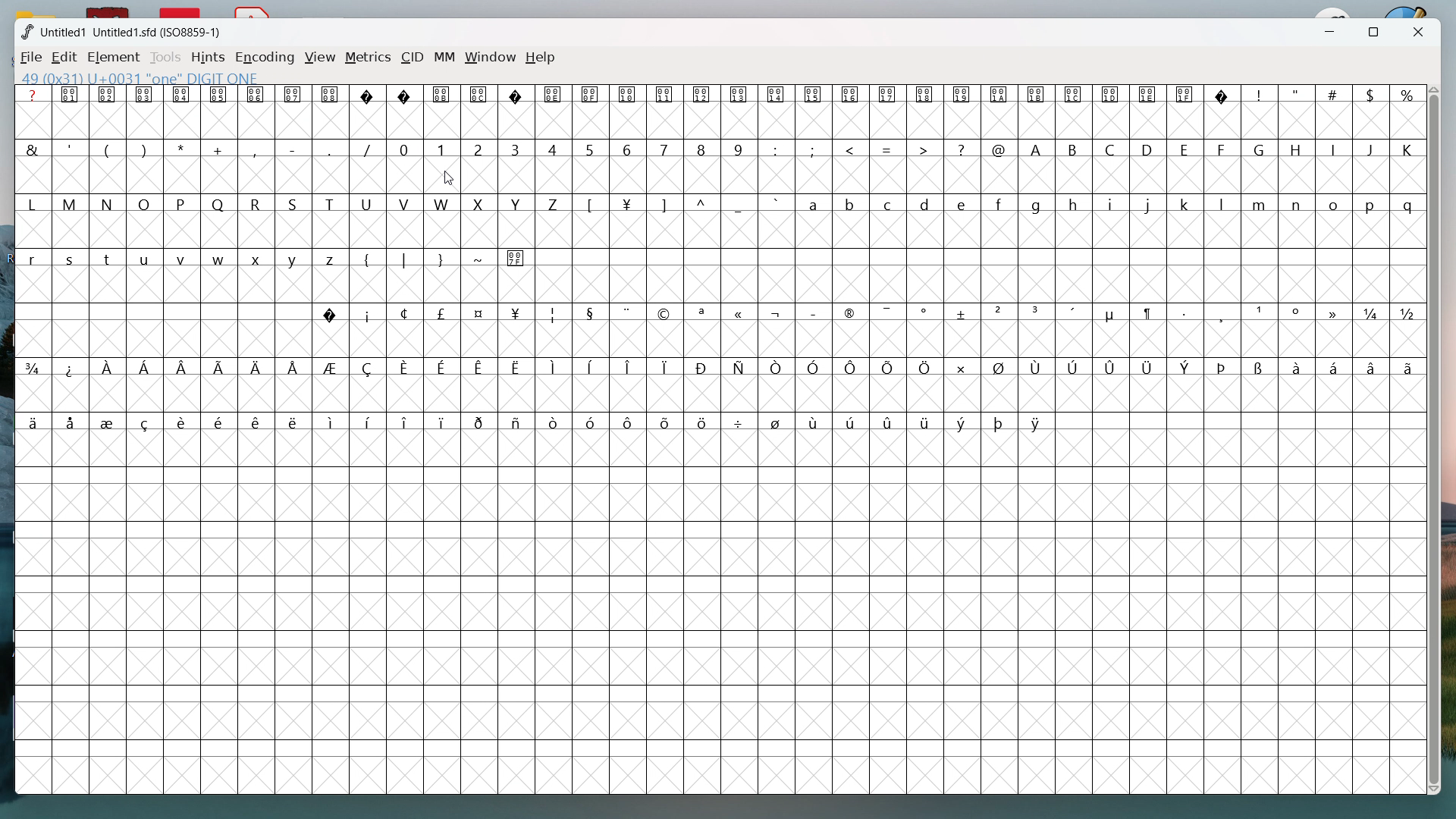  I want to click on 5, so click(590, 149).